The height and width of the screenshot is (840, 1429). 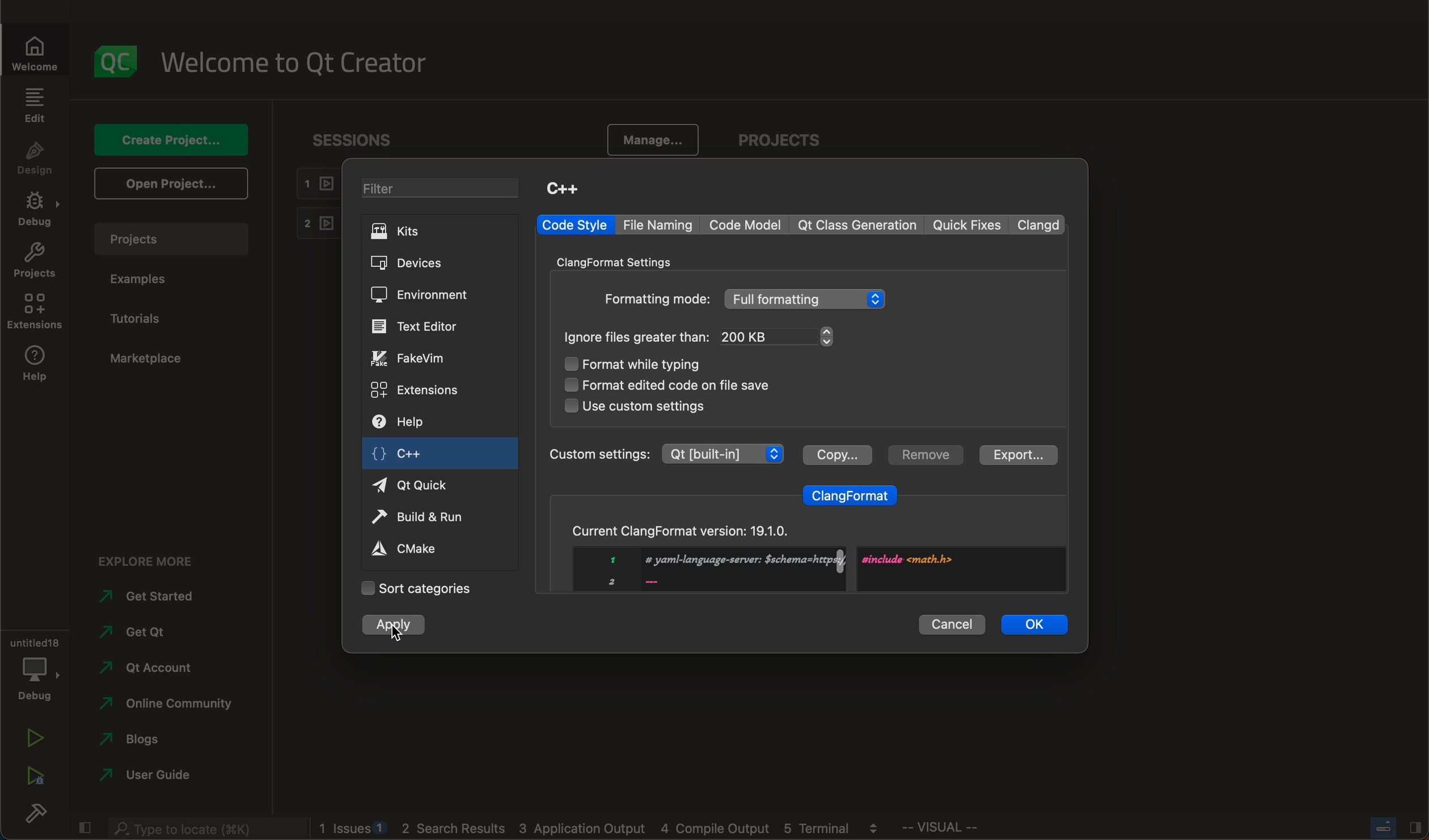 What do you see at coordinates (650, 365) in the screenshot?
I see `typing format` at bounding box center [650, 365].